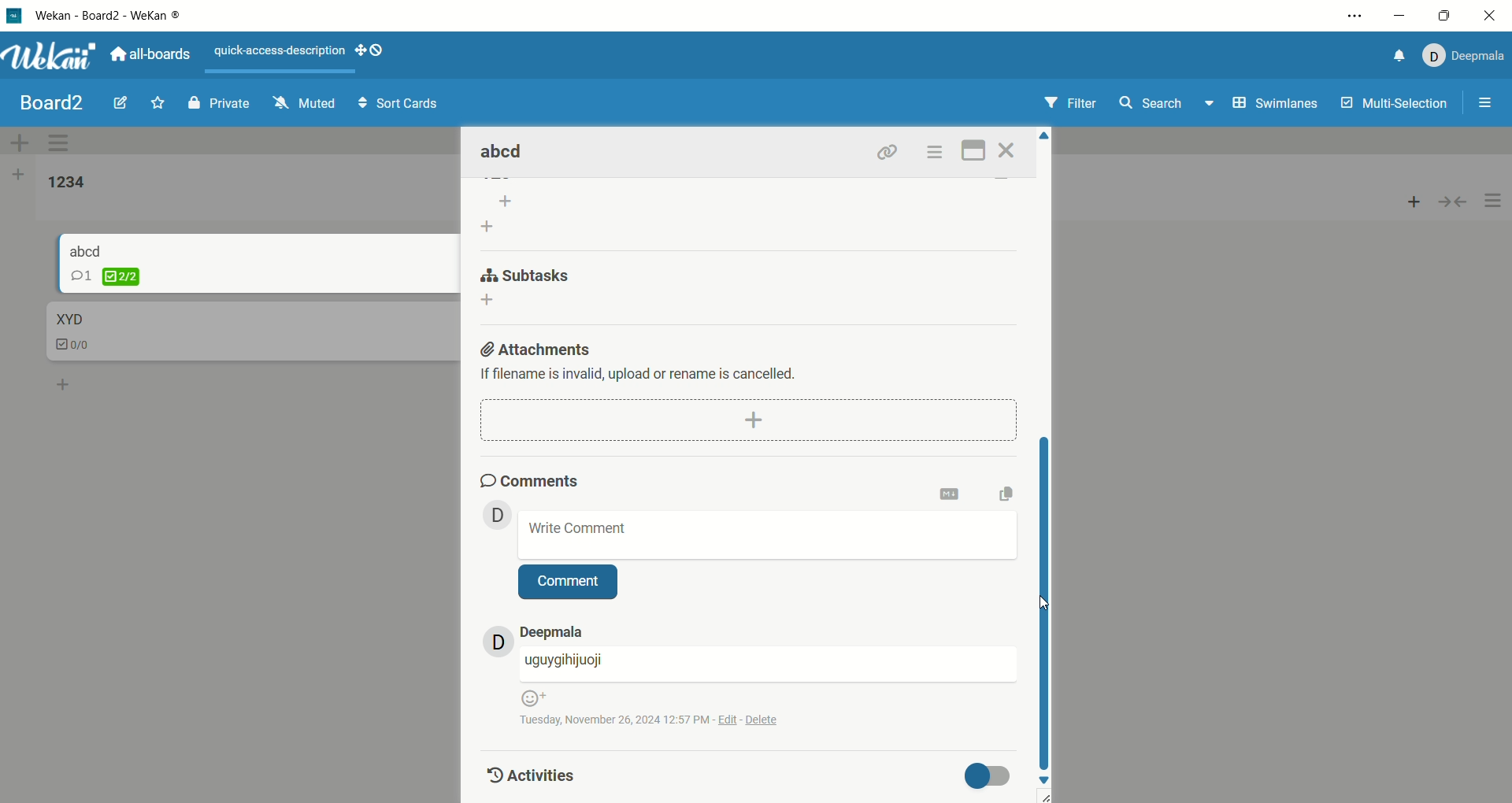 This screenshot has width=1512, height=803. I want to click on text, so click(648, 376).